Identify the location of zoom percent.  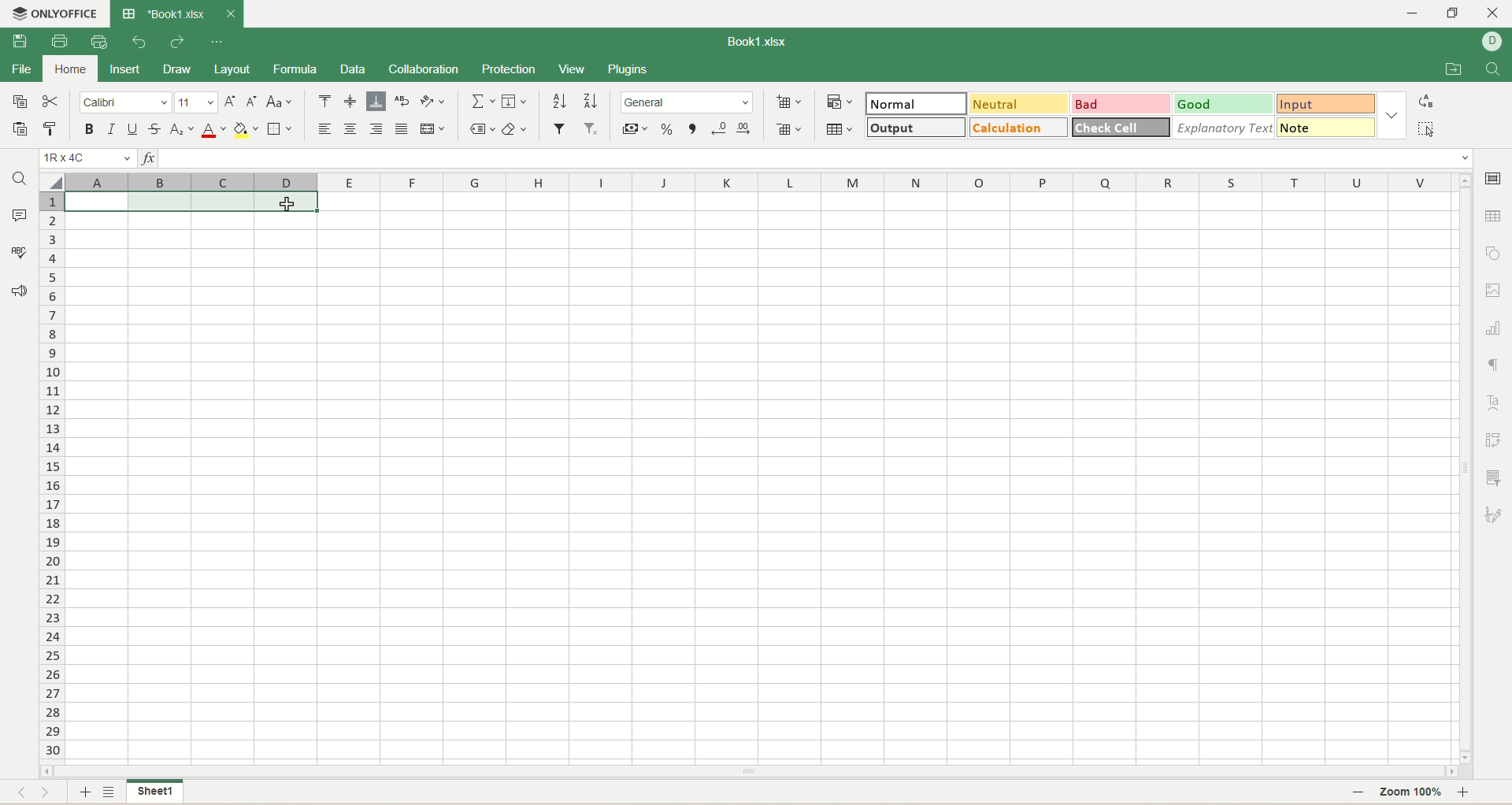
(1412, 793).